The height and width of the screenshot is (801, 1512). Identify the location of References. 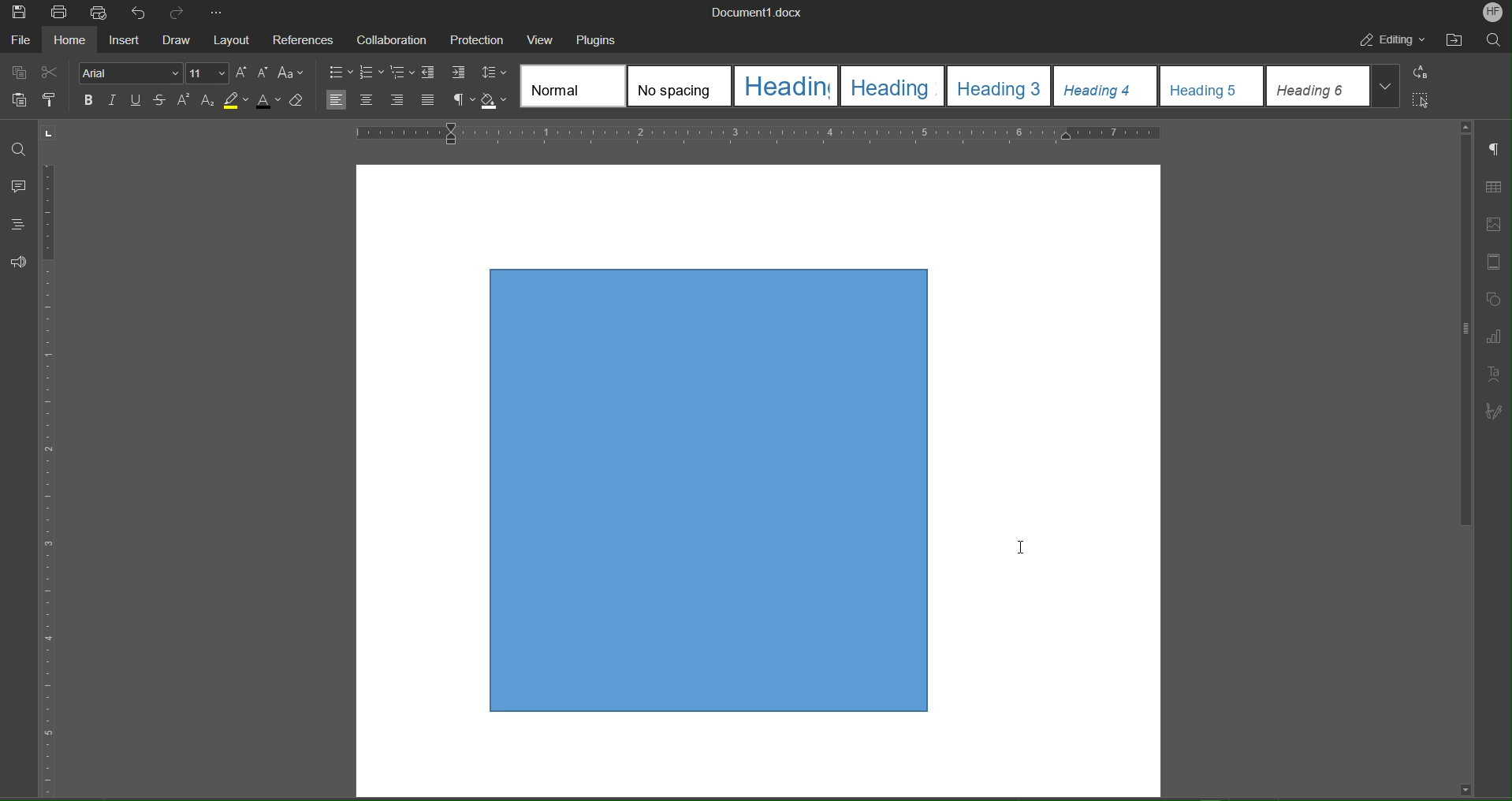
(306, 38).